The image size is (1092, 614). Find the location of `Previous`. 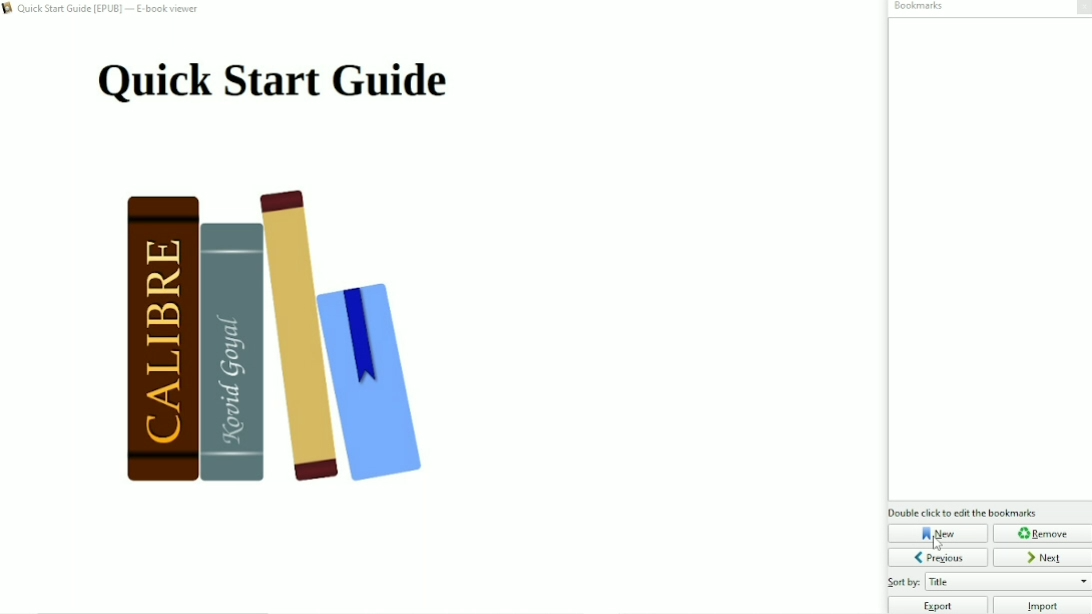

Previous is located at coordinates (938, 557).